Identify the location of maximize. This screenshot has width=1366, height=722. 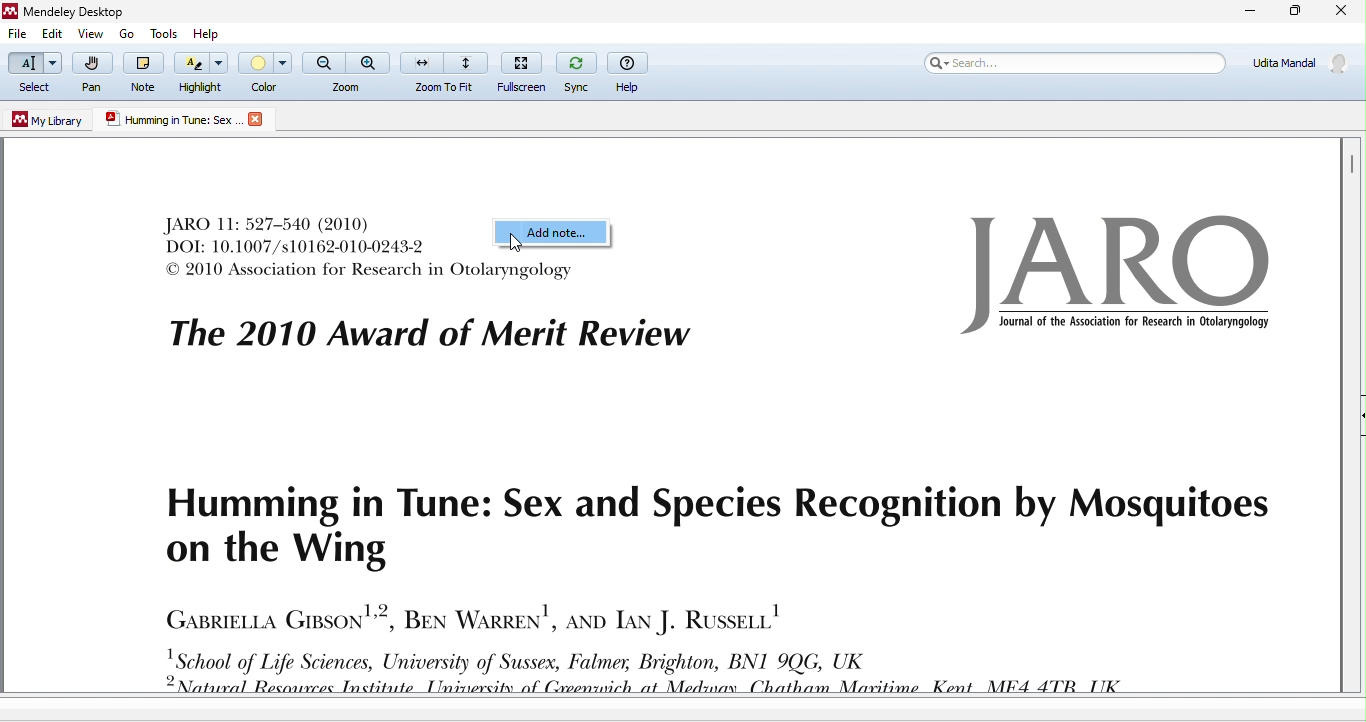
(1294, 12).